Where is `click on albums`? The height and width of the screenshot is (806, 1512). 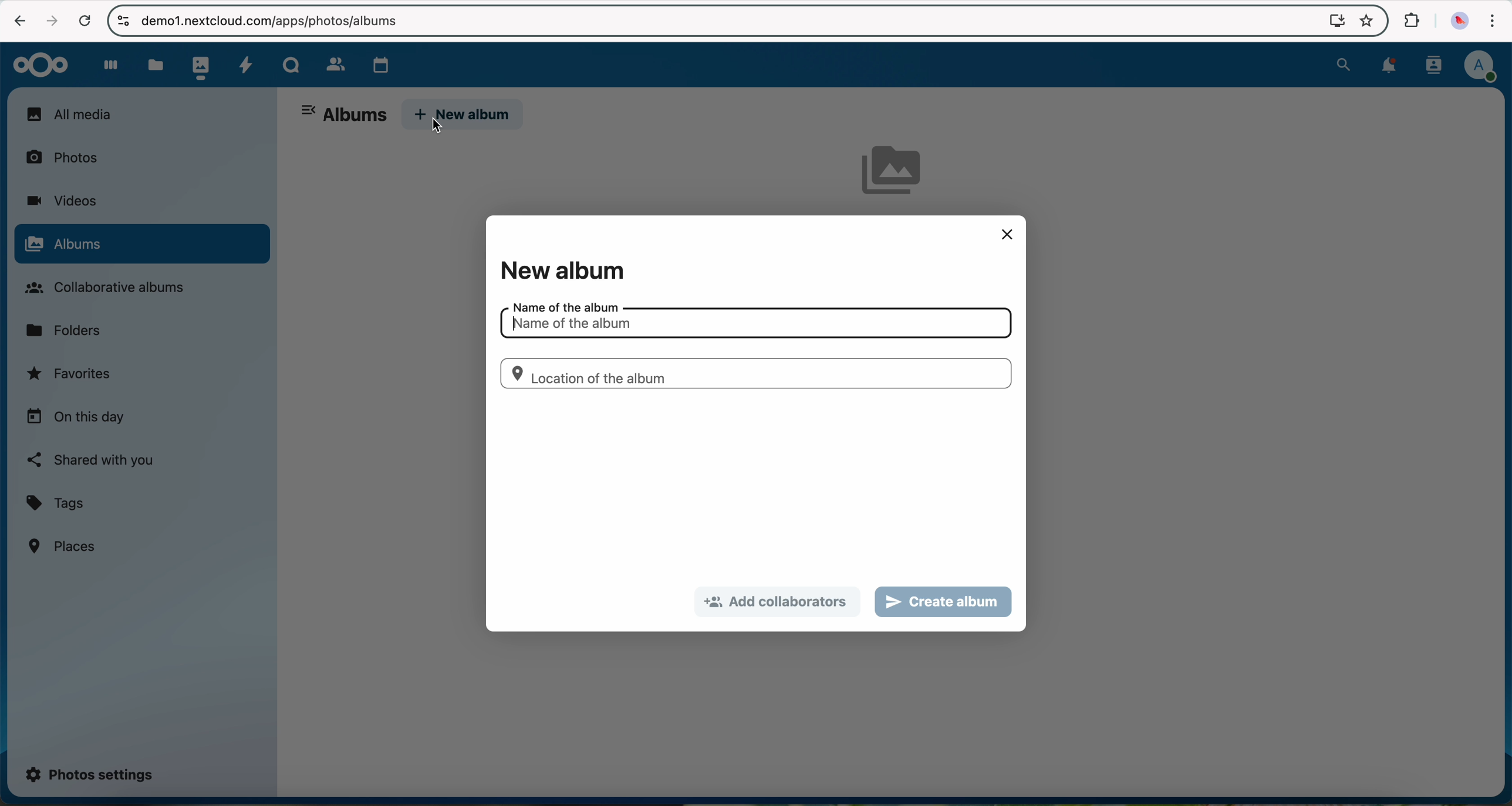
click on albums is located at coordinates (141, 245).